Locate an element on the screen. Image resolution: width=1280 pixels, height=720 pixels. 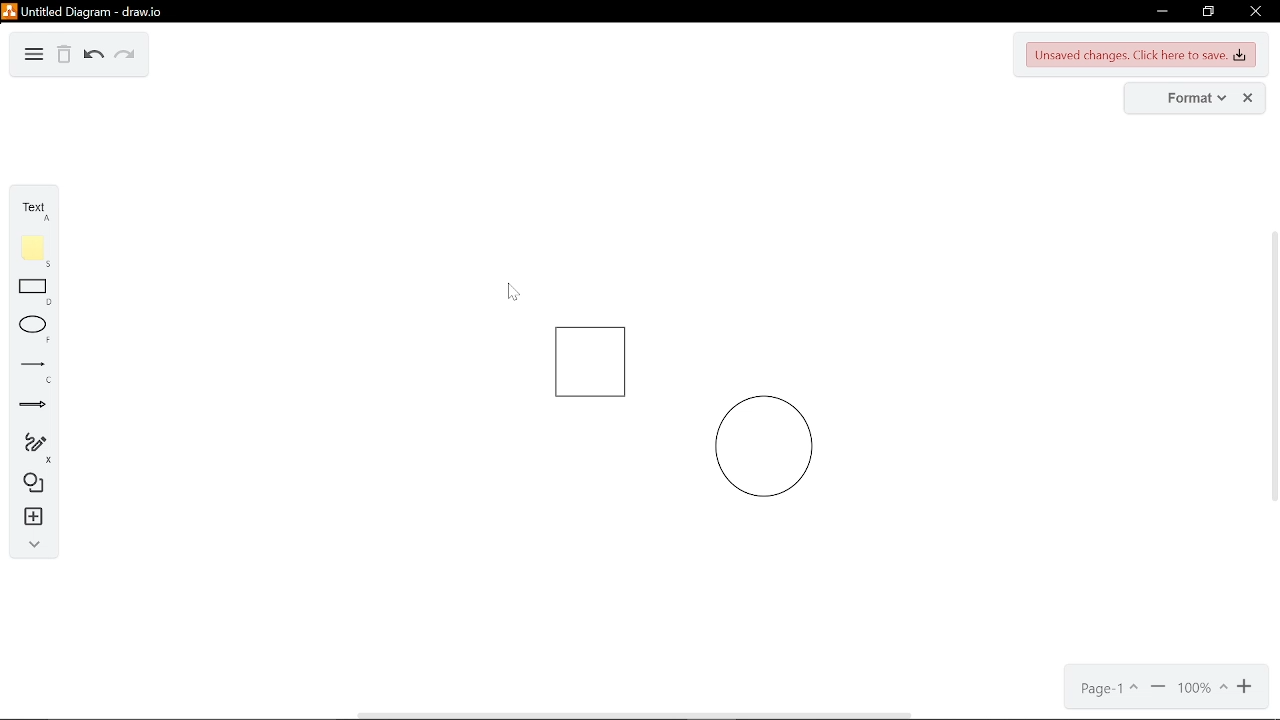
rectangle is located at coordinates (32, 294).